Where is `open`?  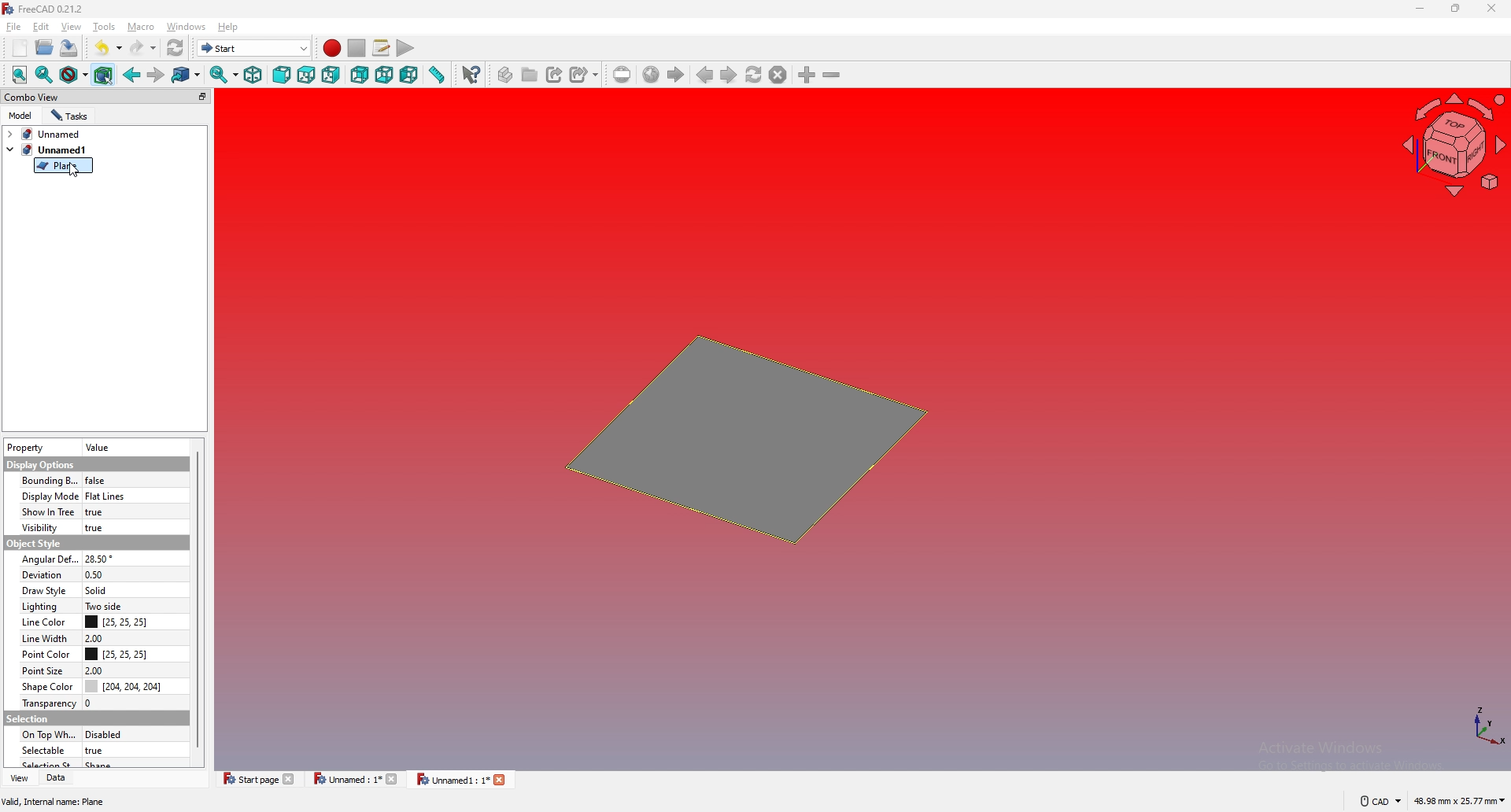
open is located at coordinates (45, 47).